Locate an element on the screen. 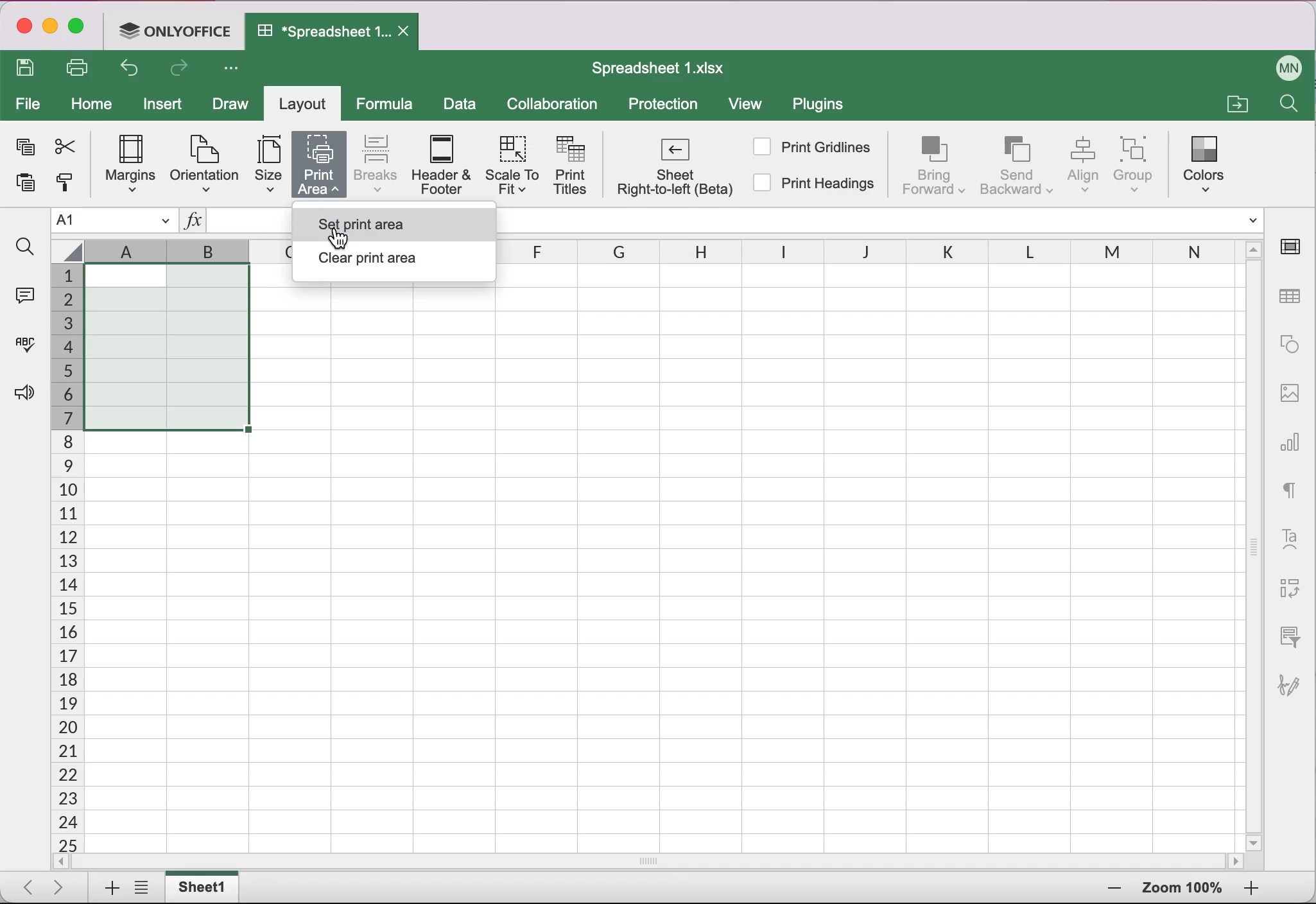 This screenshot has height=904, width=1316. maximize is located at coordinates (81, 29).